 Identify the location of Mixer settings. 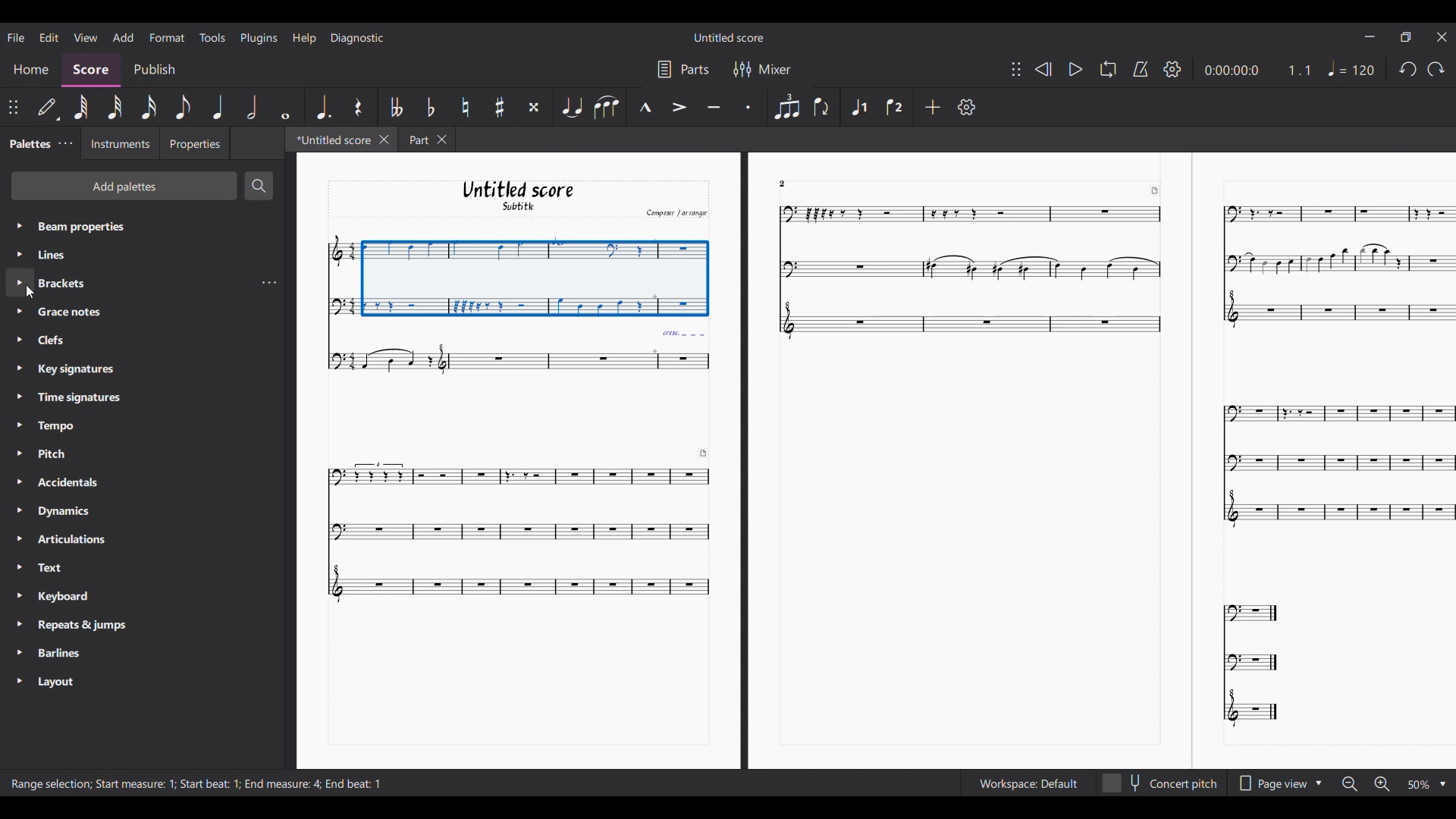
(775, 69).